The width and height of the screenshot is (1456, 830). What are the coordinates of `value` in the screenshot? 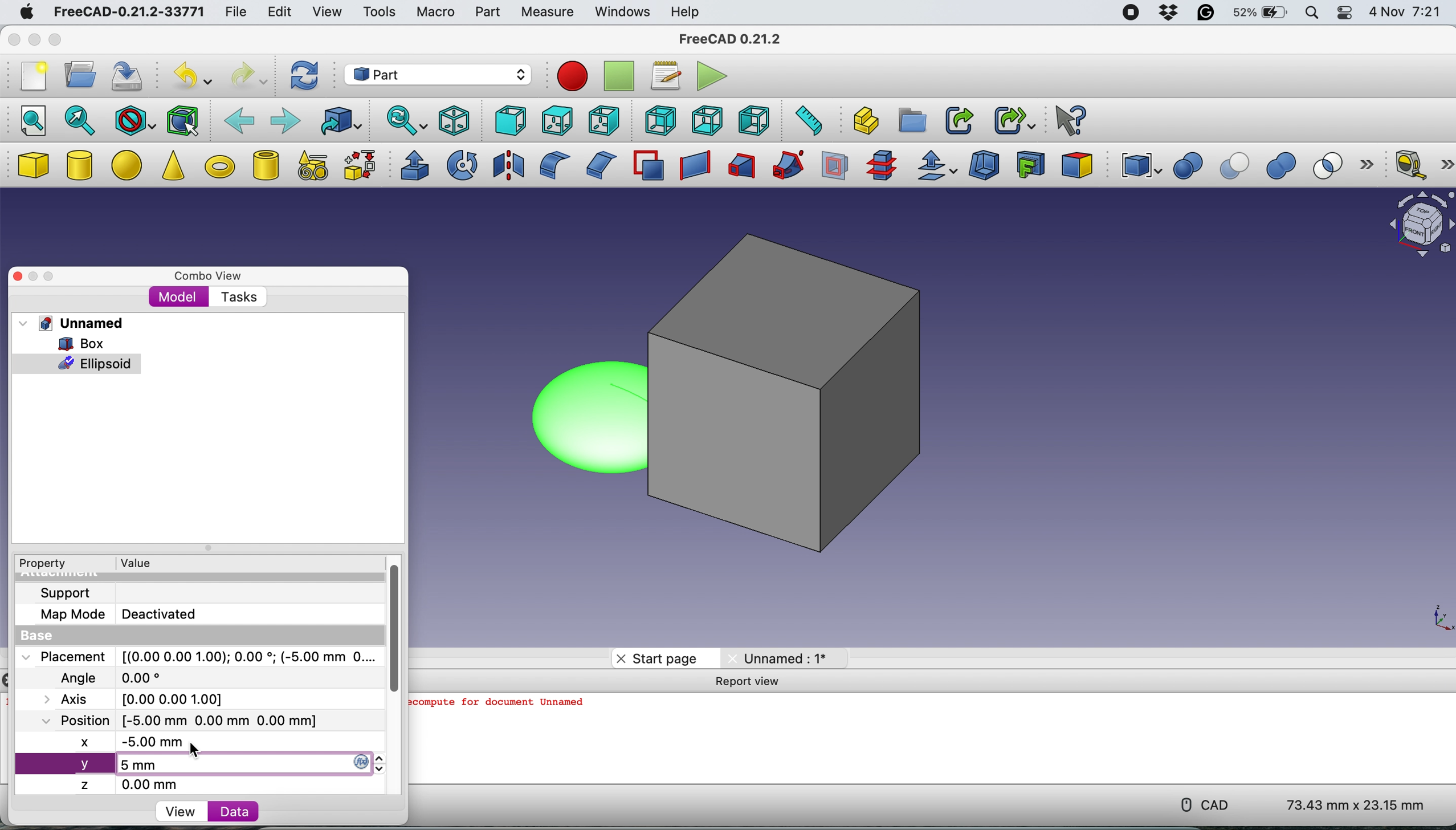 It's located at (134, 563).